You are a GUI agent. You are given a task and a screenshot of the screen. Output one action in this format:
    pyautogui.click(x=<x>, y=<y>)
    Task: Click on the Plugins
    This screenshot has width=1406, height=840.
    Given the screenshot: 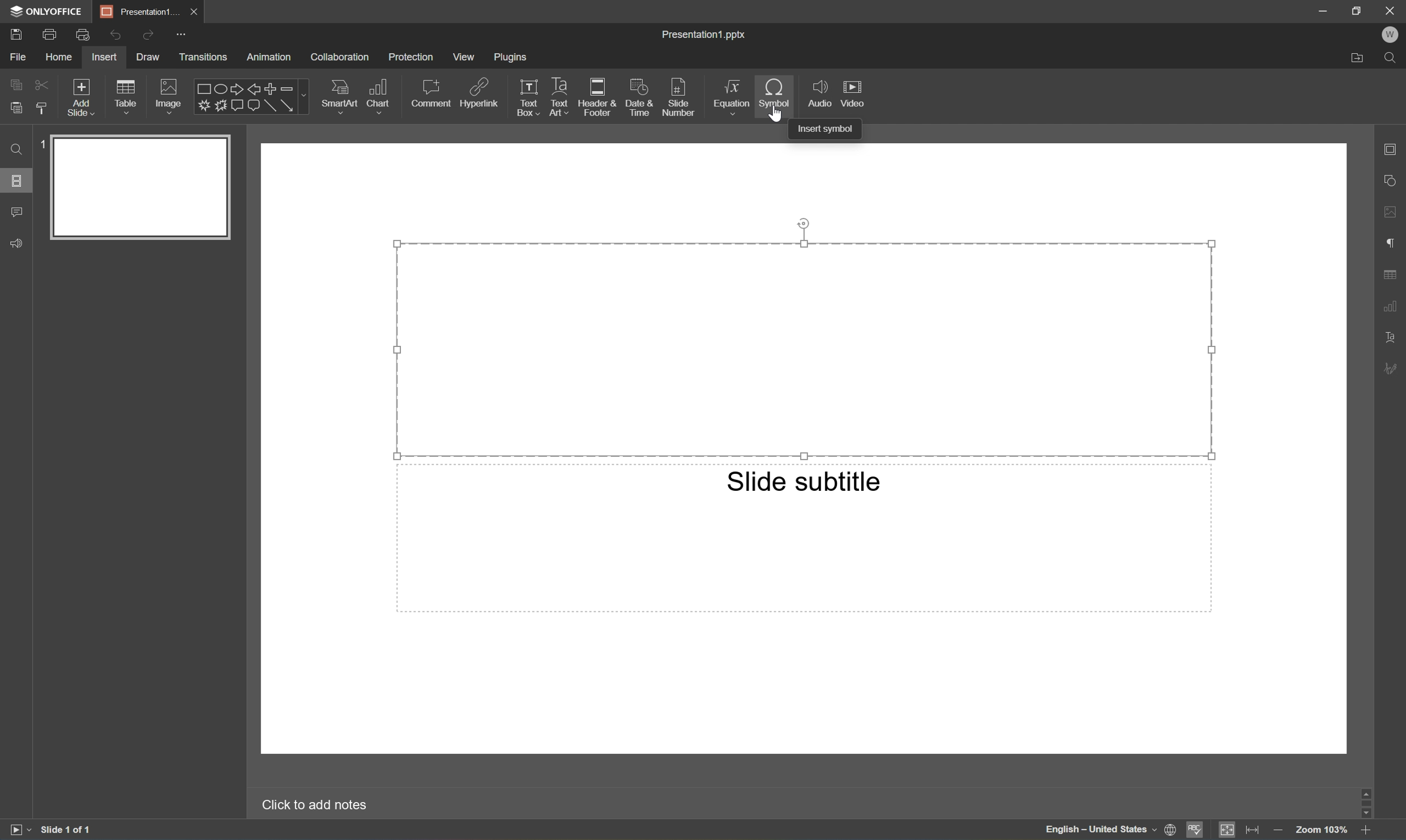 What is the action you would take?
    pyautogui.click(x=513, y=57)
    